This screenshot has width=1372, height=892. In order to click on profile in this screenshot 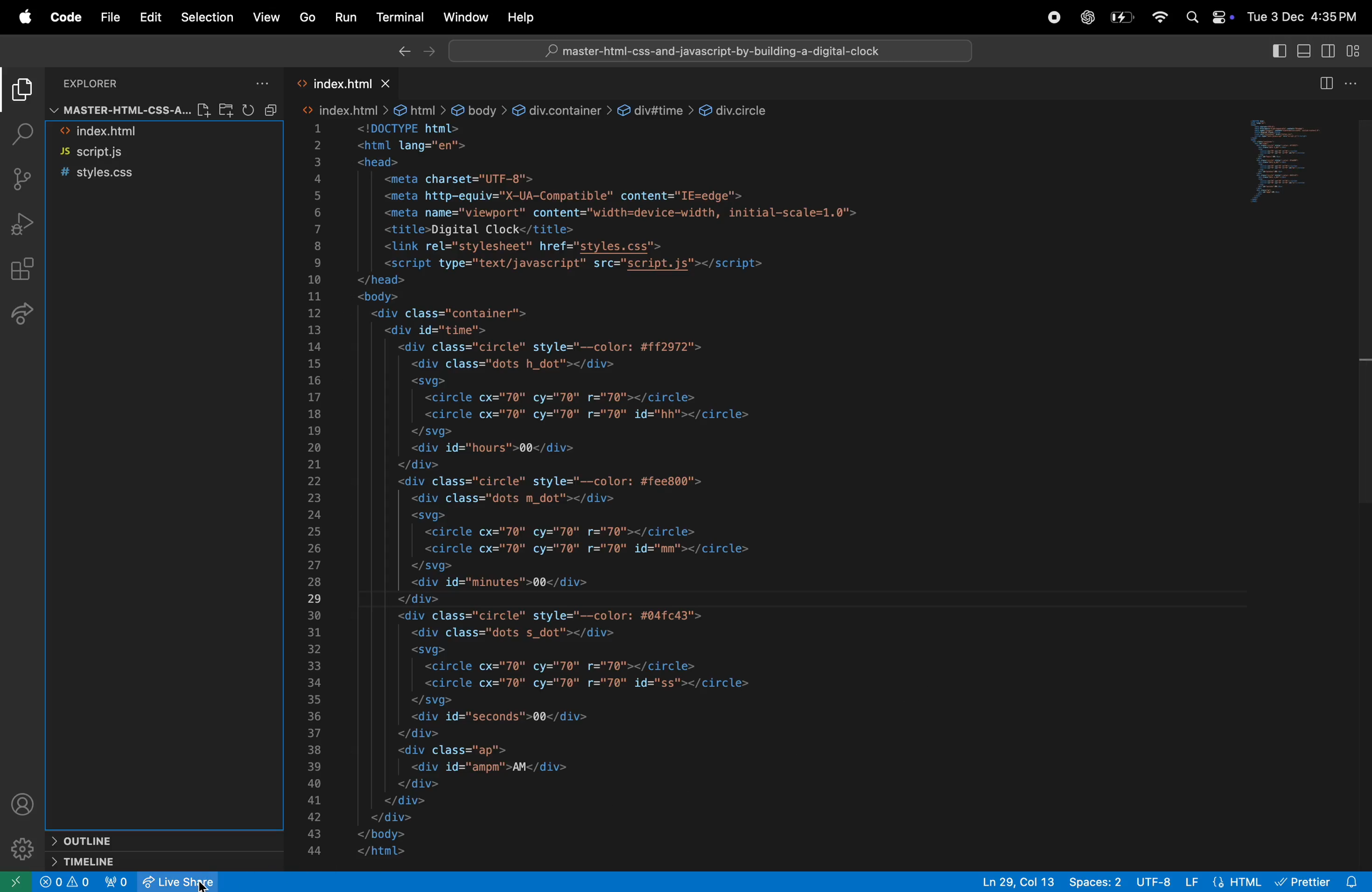, I will do `click(24, 803)`.